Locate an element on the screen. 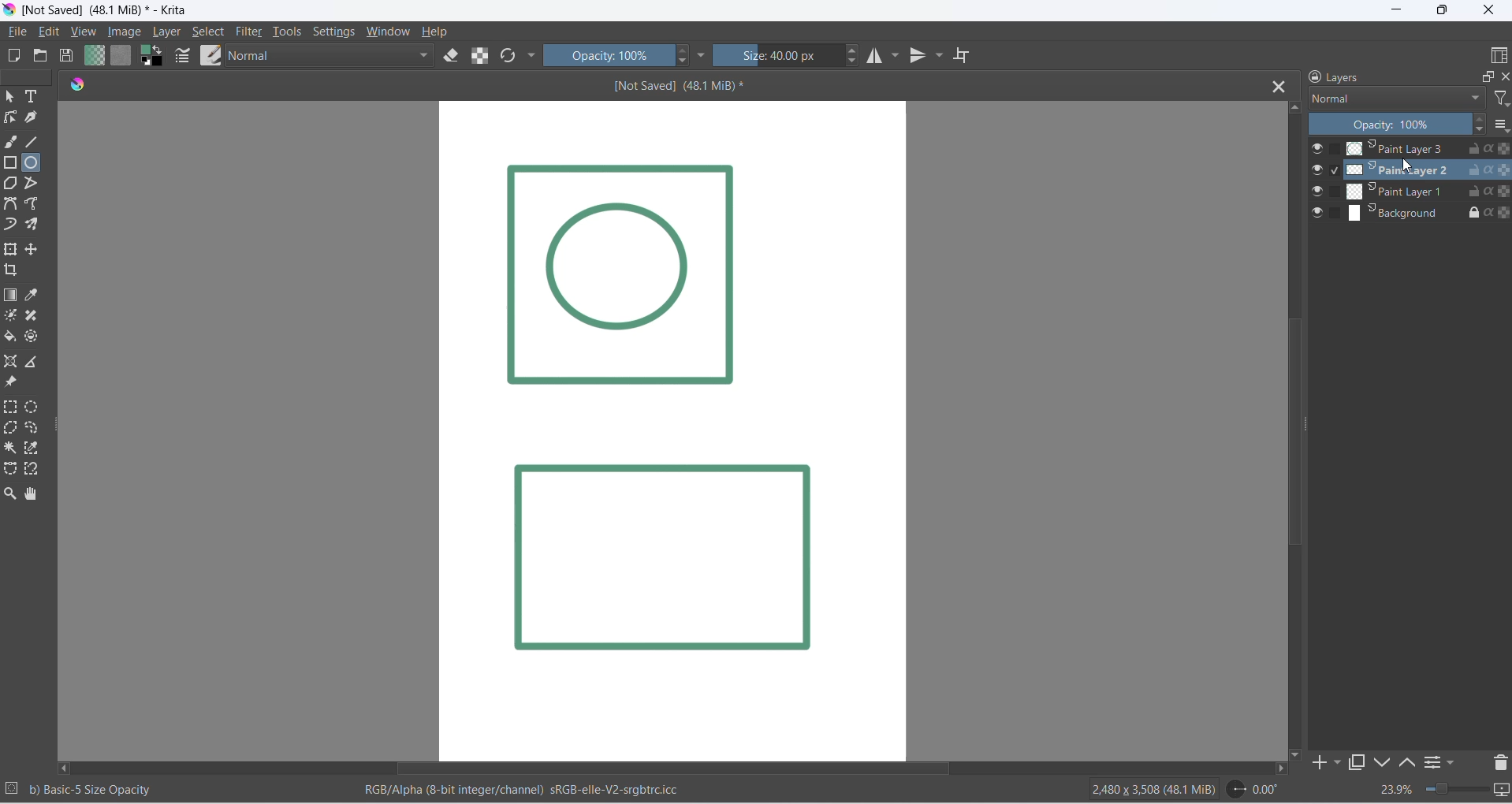 The height and width of the screenshot is (804, 1512). curve selection tool is located at coordinates (10, 470).